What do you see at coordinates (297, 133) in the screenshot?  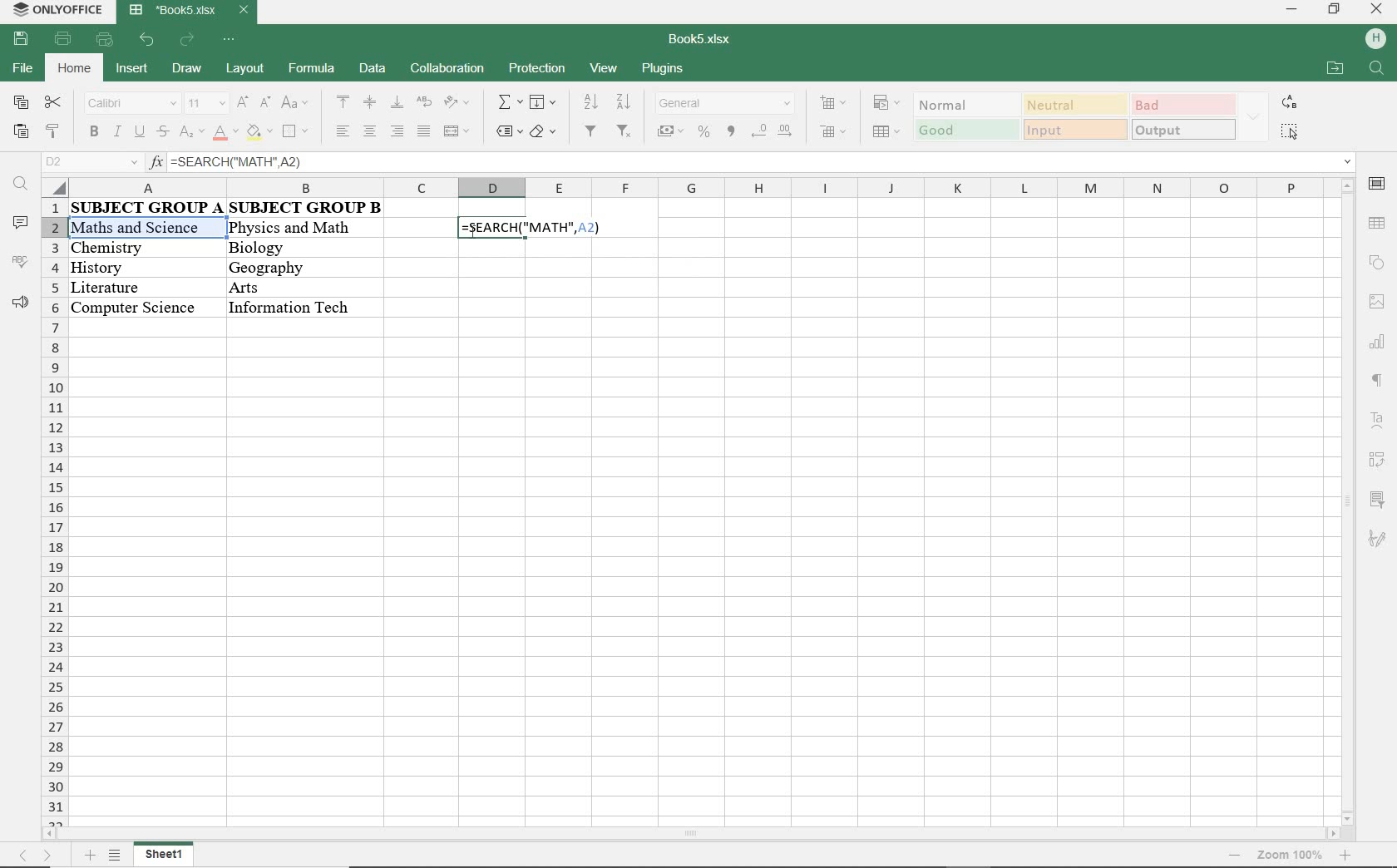 I see `borders` at bounding box center [297, 133].